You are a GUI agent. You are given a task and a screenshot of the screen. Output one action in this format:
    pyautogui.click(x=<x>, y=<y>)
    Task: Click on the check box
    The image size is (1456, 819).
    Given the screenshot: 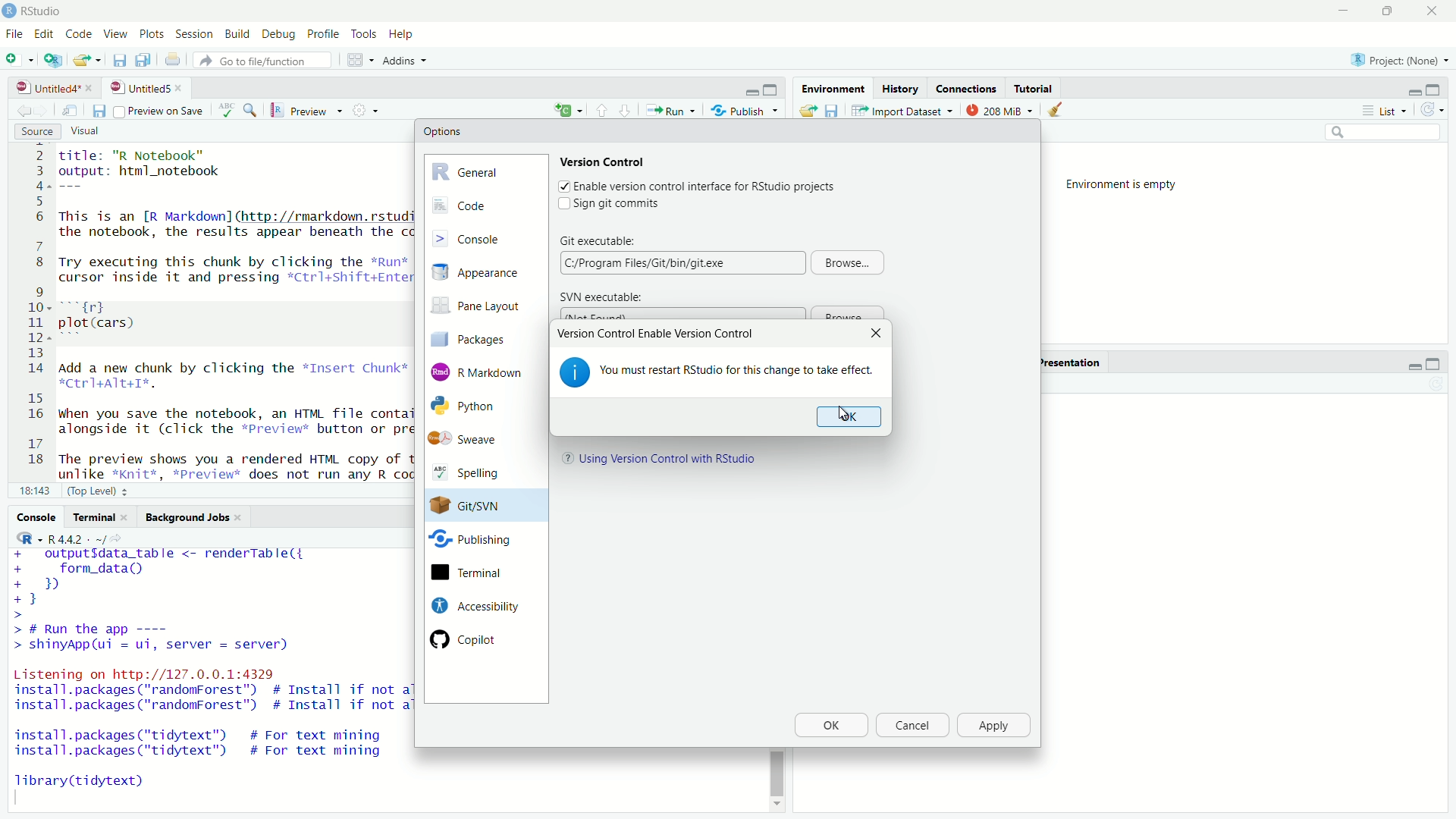 What is the action you would take?
    pyautogui.click(x=560, y=204)
    